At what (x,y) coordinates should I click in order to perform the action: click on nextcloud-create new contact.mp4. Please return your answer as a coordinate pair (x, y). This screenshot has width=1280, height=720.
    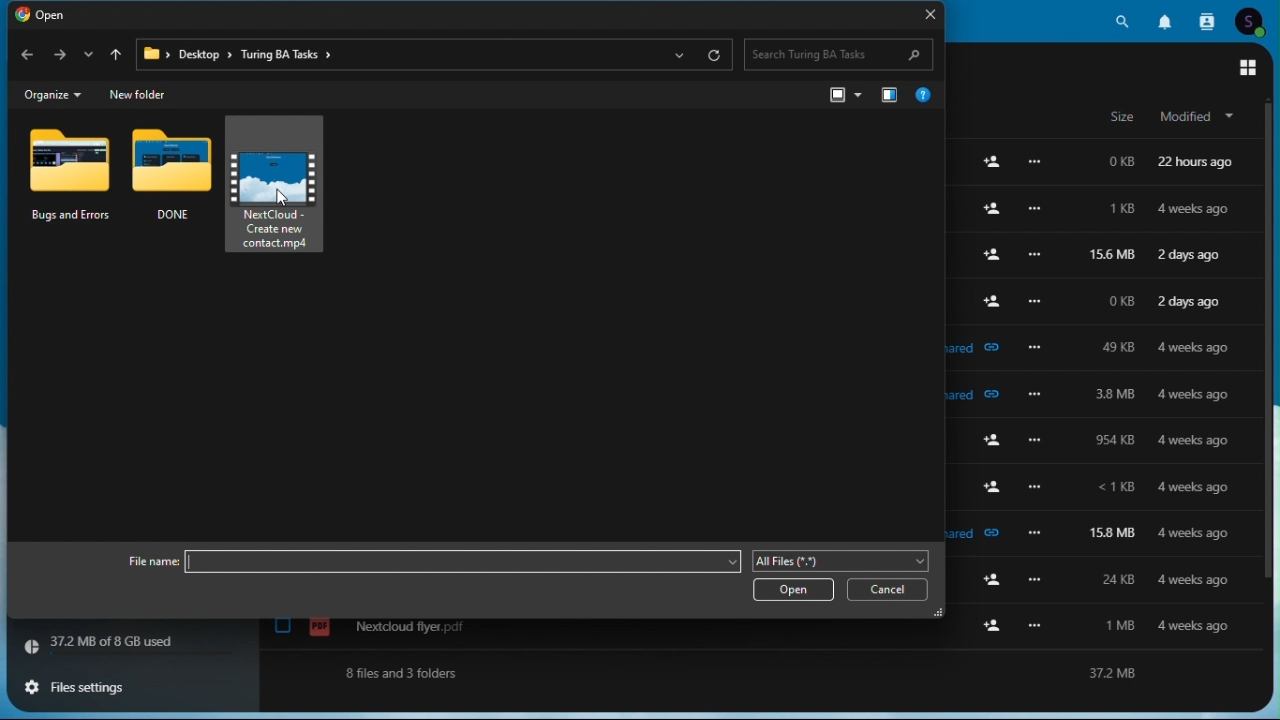
    Looking at the image, I should click on (276, 182).